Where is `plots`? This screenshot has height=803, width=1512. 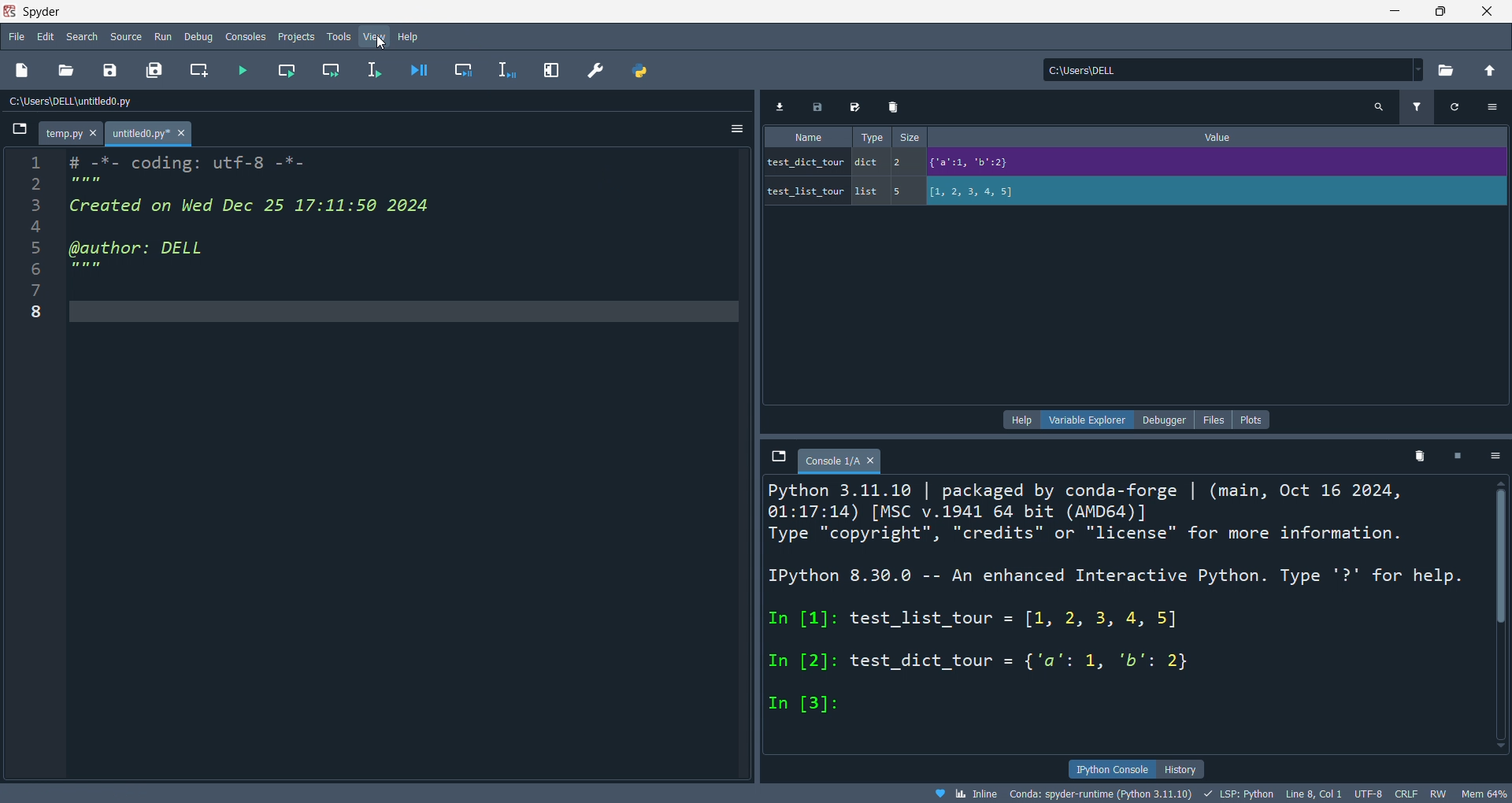 plots is located at coordinates (1252, 420).